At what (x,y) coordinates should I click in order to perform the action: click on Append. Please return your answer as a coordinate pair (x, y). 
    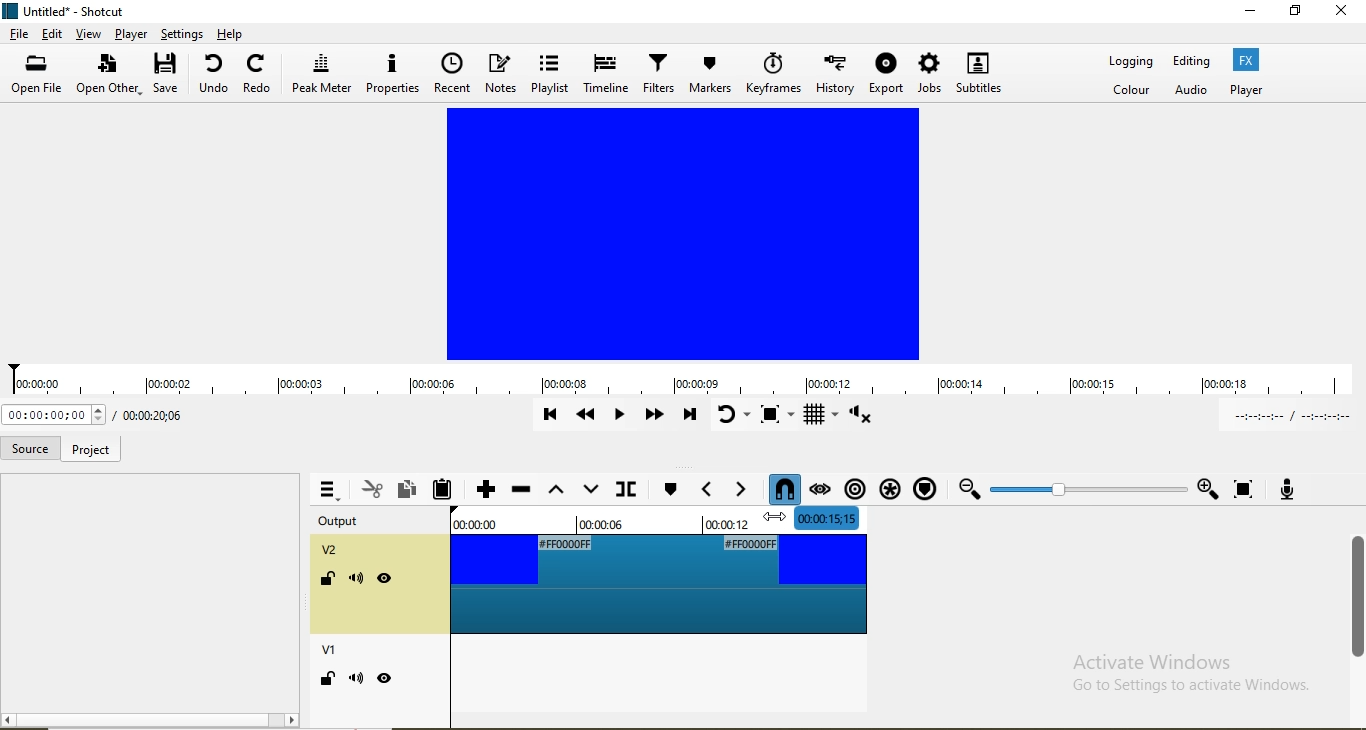
    Looking at the image, I should click on (485, 488).